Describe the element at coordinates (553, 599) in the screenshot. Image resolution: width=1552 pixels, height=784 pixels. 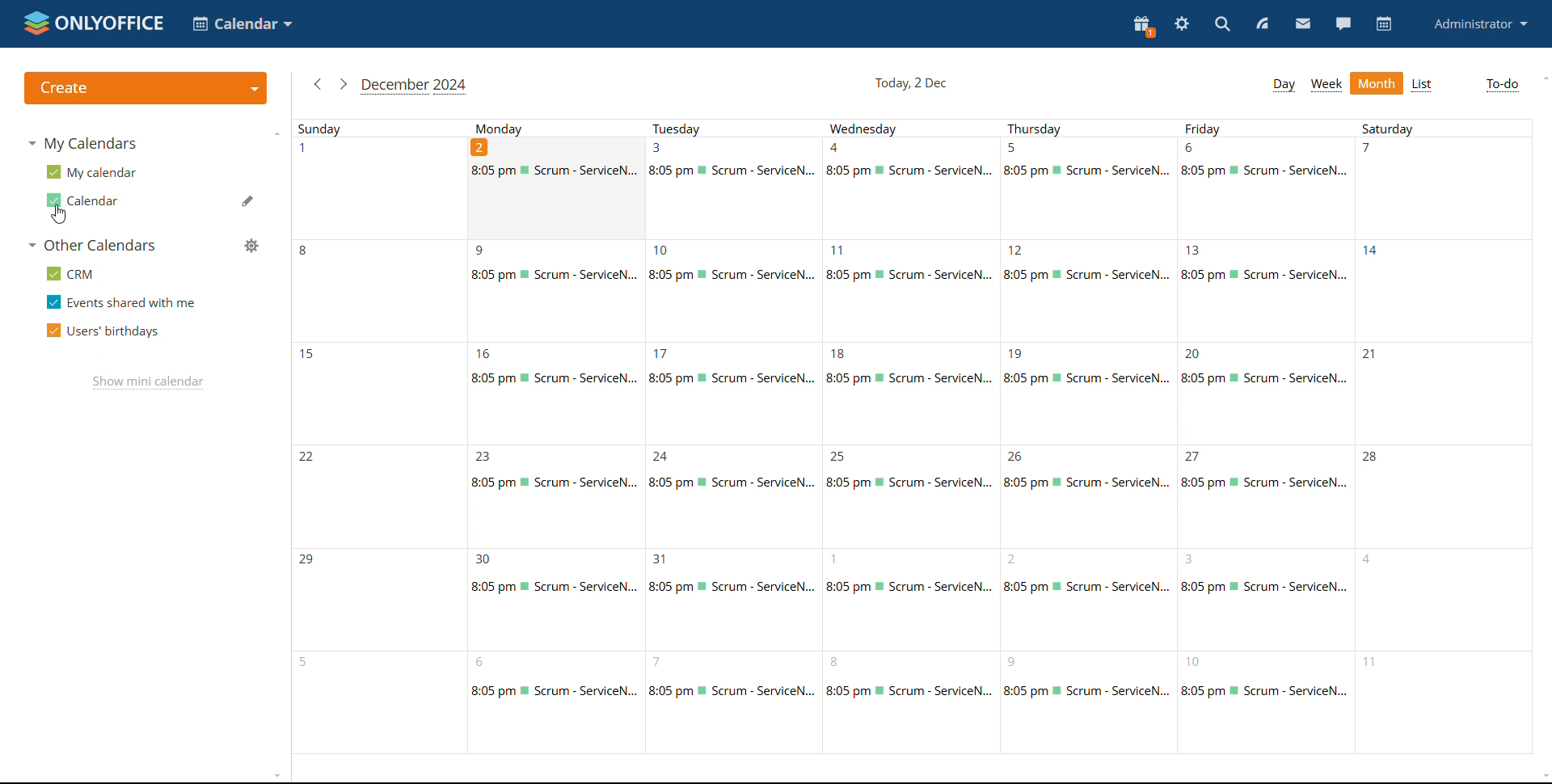
I see `30` at that location.